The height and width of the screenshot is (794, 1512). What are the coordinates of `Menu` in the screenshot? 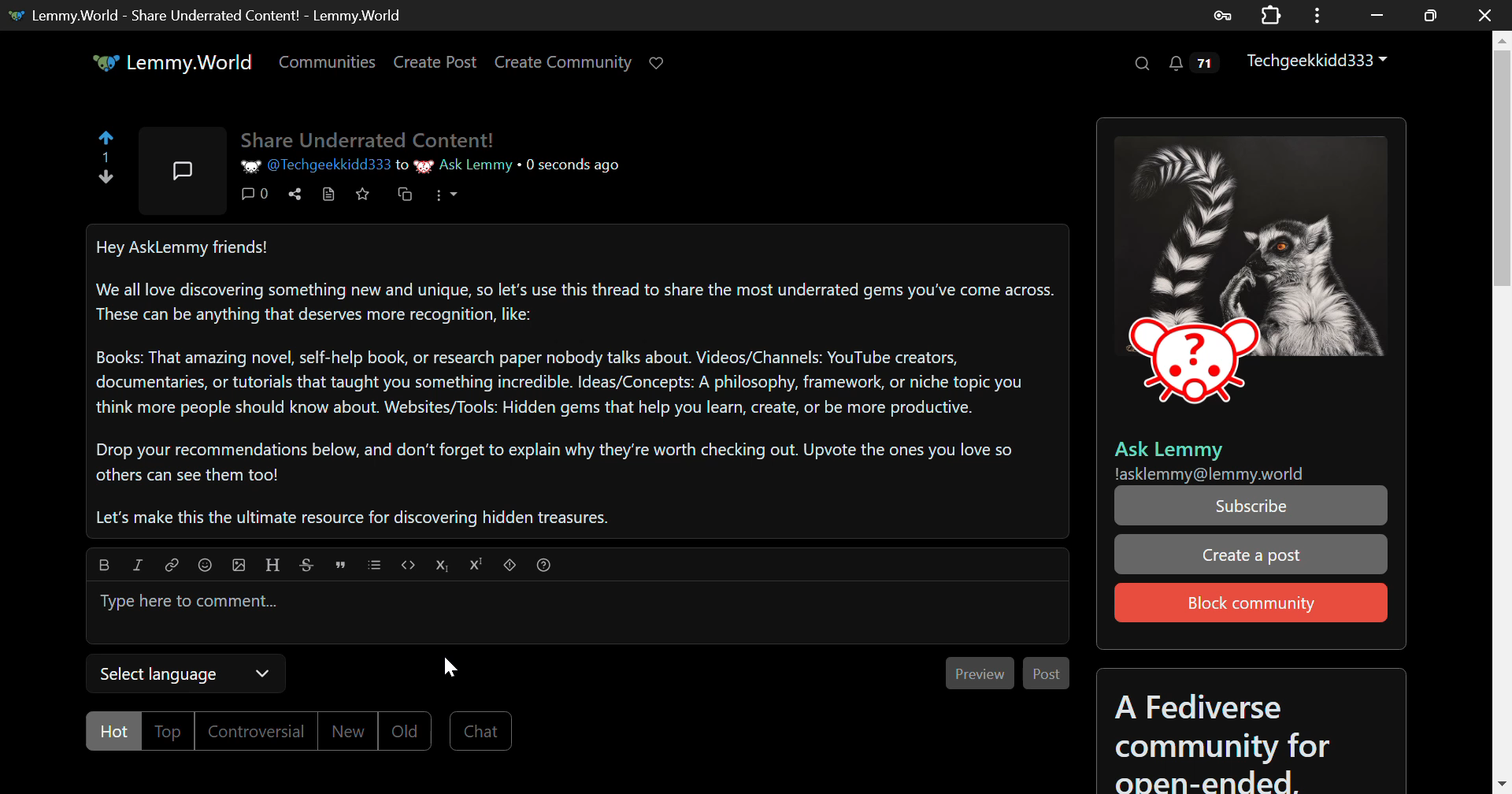 It's located at (450, 200).